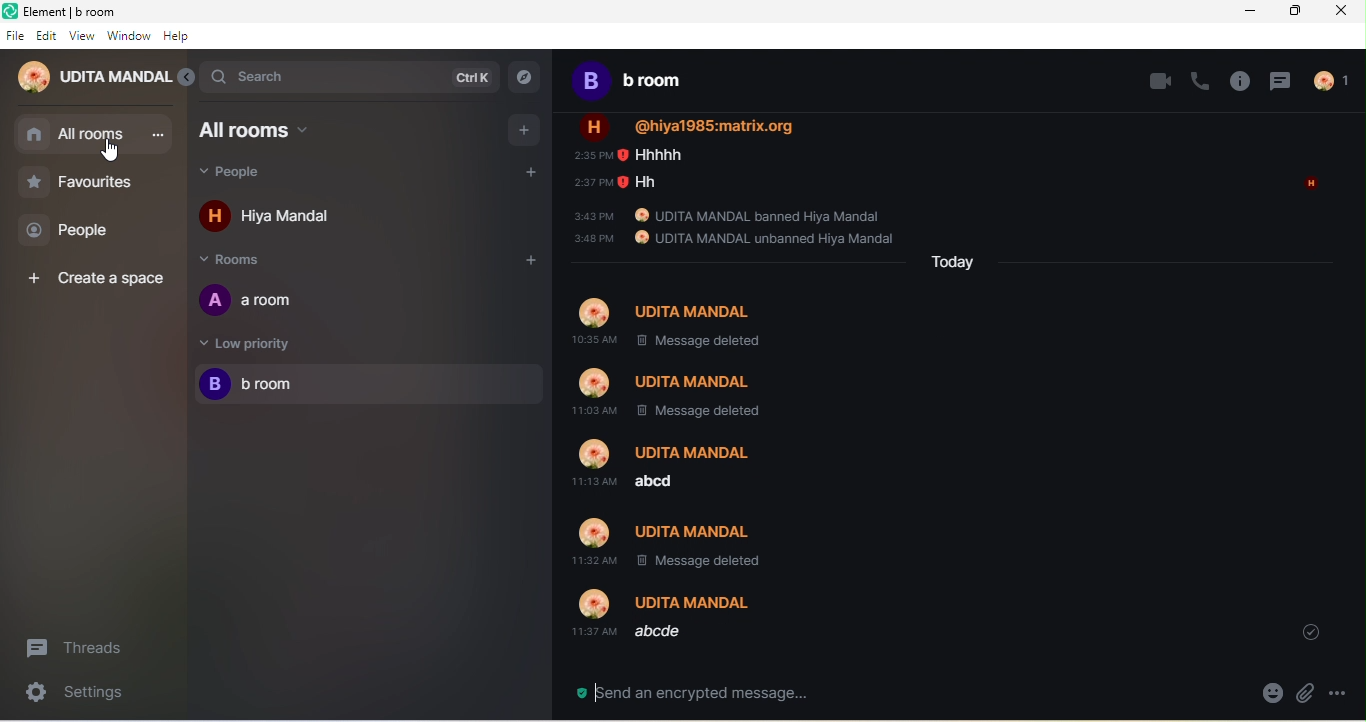 The height and width of the screenshot is (722, 1366). I want to click on help, so click(184, 39).